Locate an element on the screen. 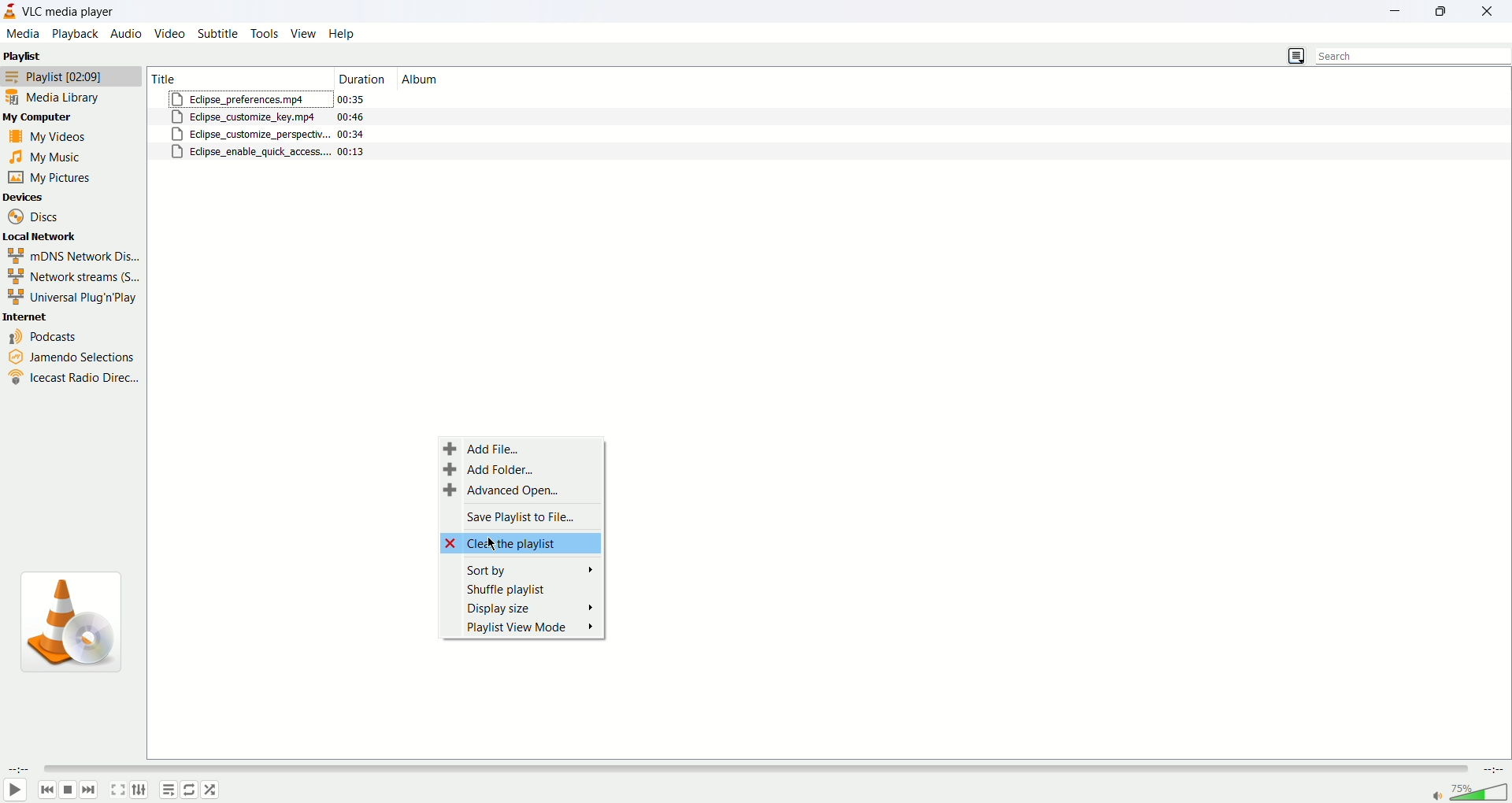  Title is located at coordinates (237, 76).